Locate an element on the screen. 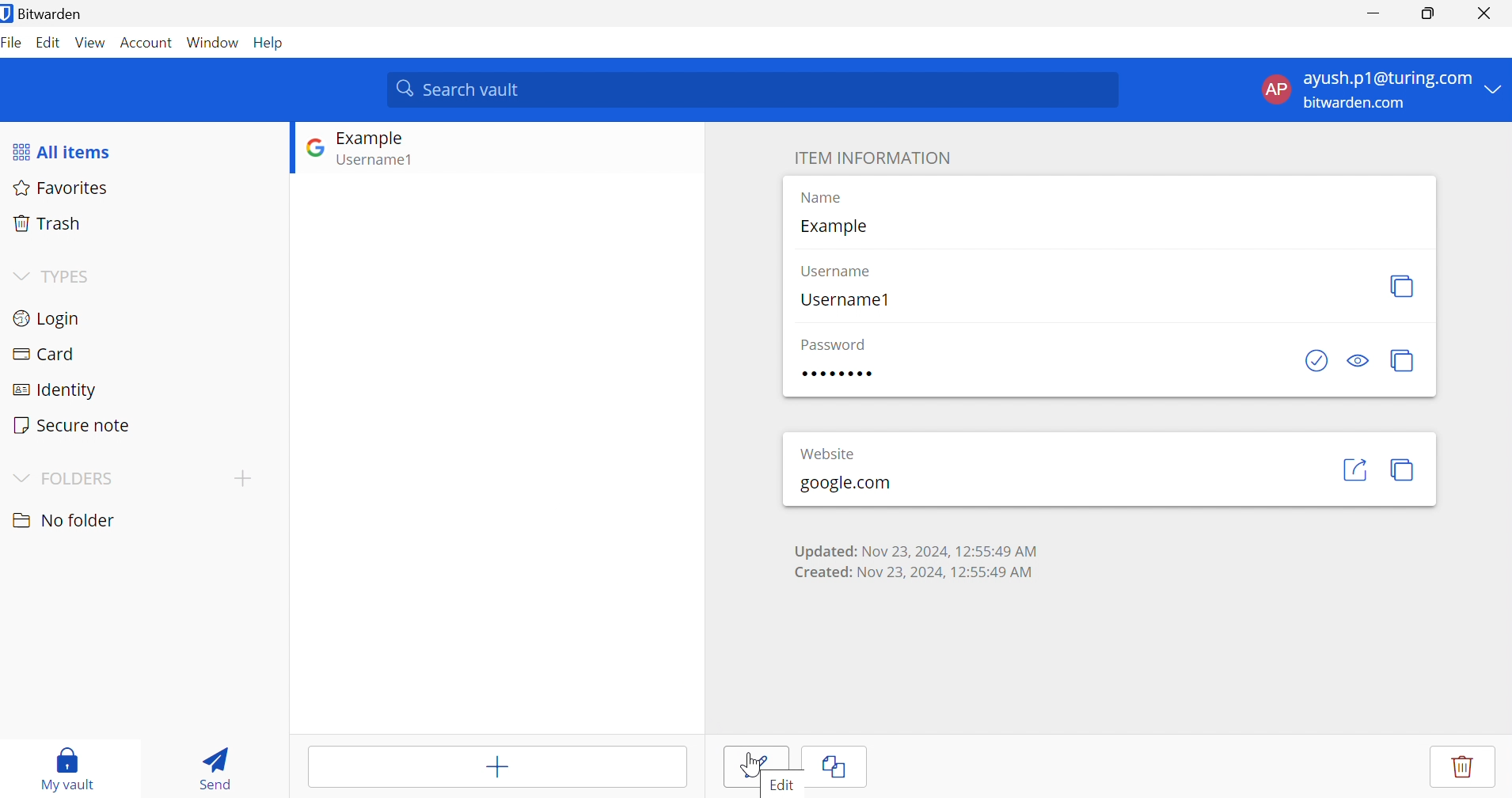 The image size is (1512, 798). View is located at coordinates (91, 42).